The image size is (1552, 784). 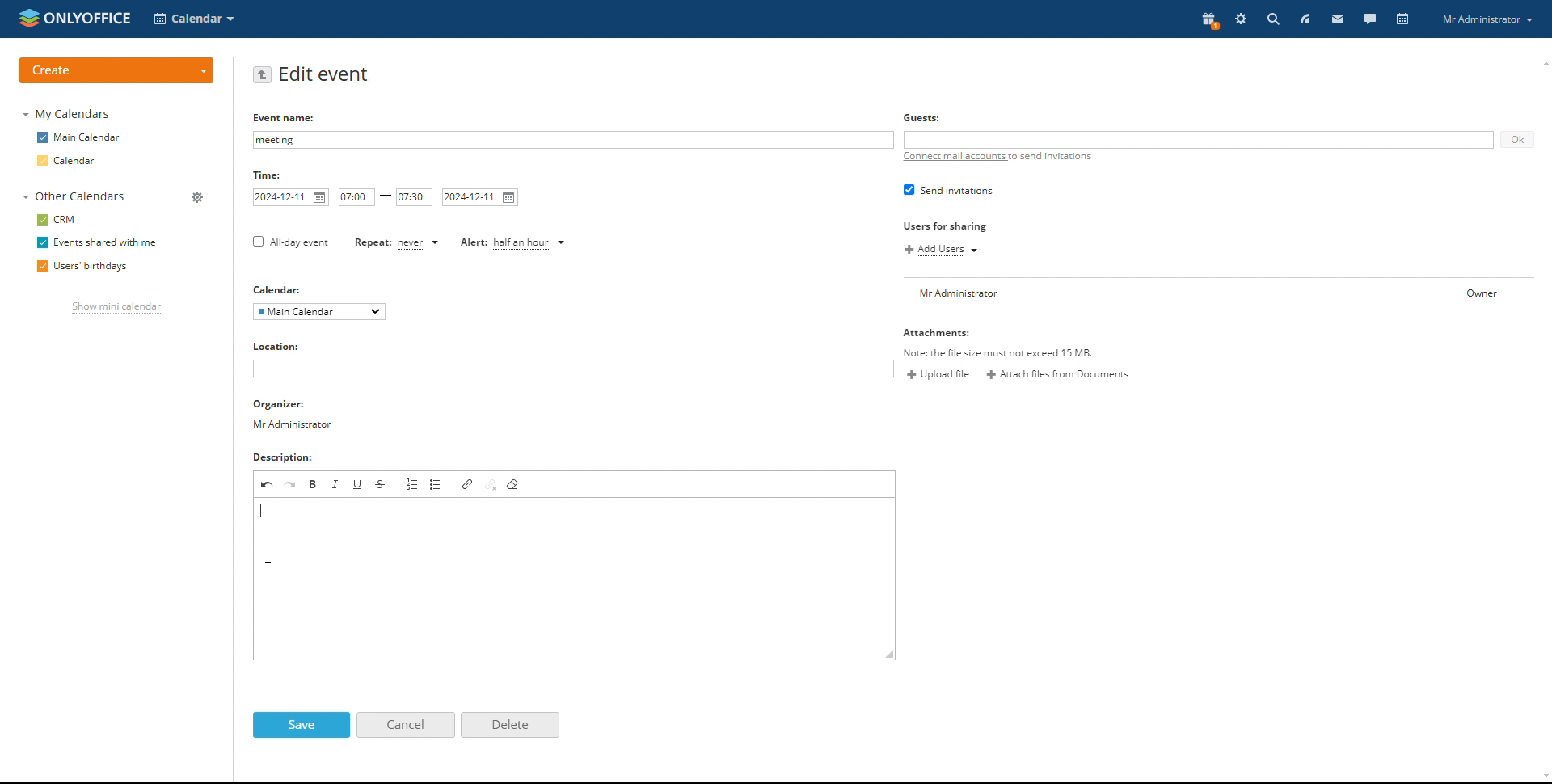 What do you see at coordinates (69, 113) in the screenshot?
I see `my calendars` at bounding box center [69, 113].